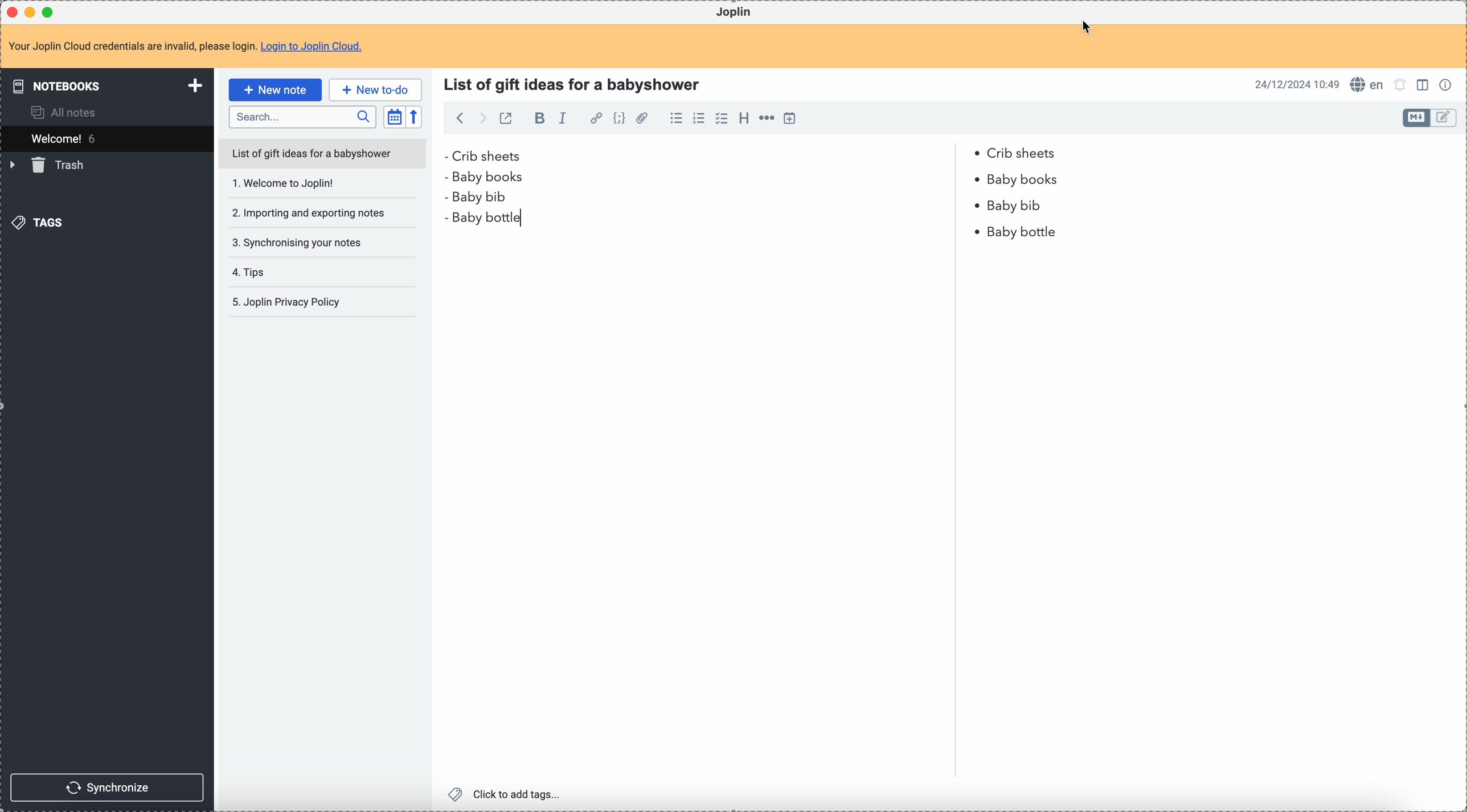 The width and height of the screenshot is (1467, 812). What do you see at coordinates (539, 120) in the screenshot?
I see `bold` at bounding box center [539, 120].